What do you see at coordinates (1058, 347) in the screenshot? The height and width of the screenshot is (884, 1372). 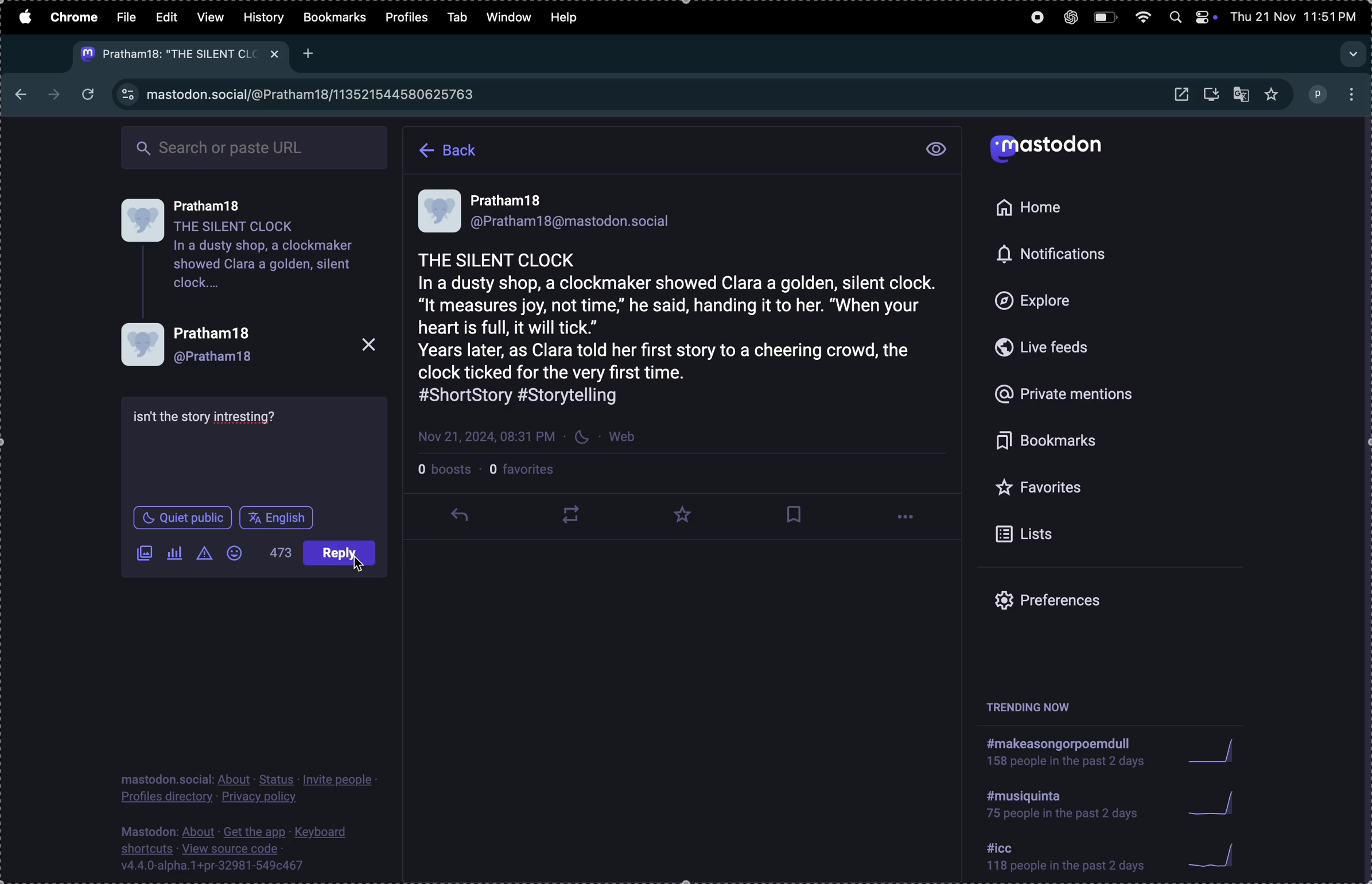 I see `live feed` at bounding box center [1058, 347].